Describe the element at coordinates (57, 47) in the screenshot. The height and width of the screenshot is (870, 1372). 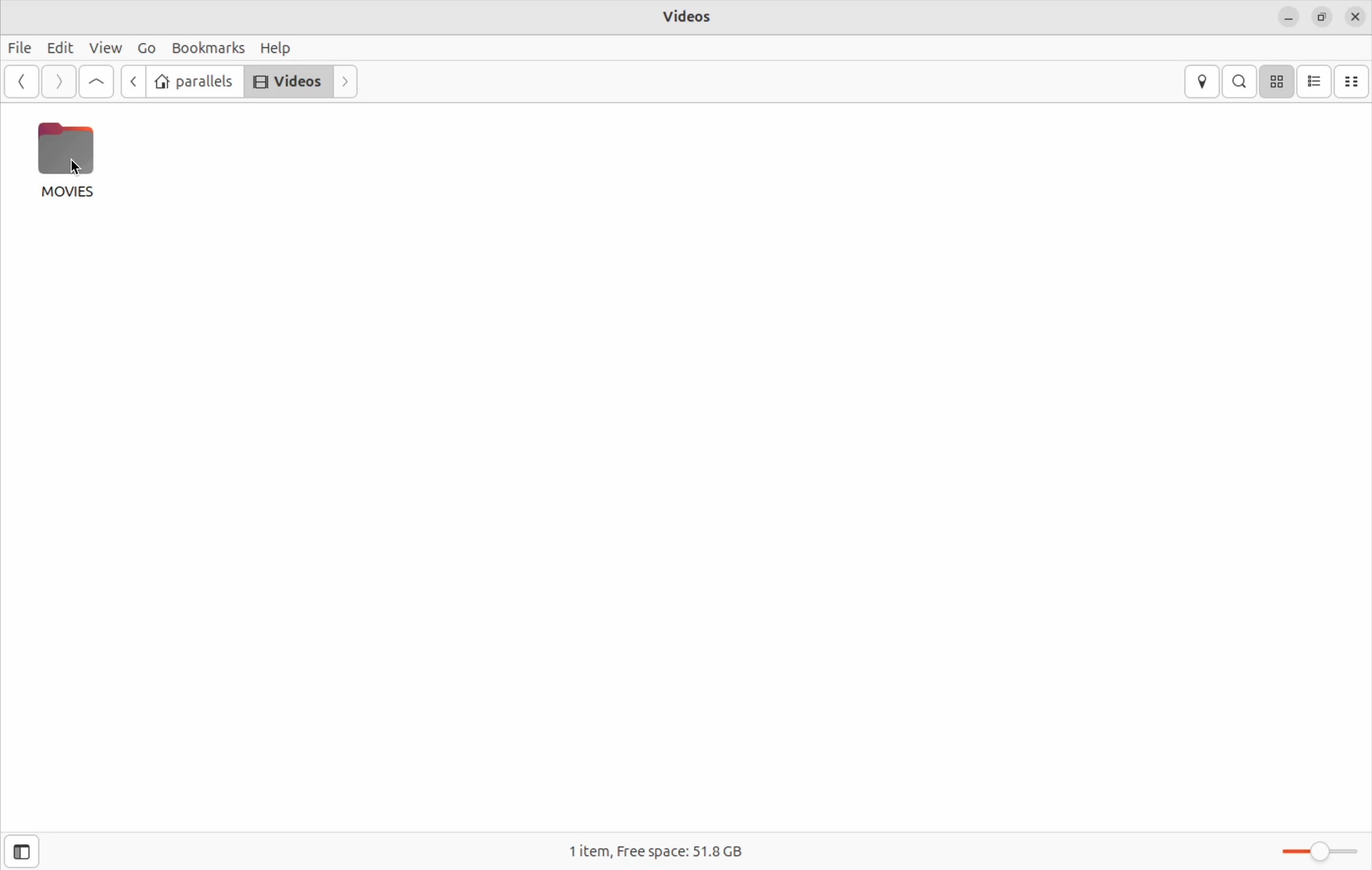
I see `Edit` at that location.